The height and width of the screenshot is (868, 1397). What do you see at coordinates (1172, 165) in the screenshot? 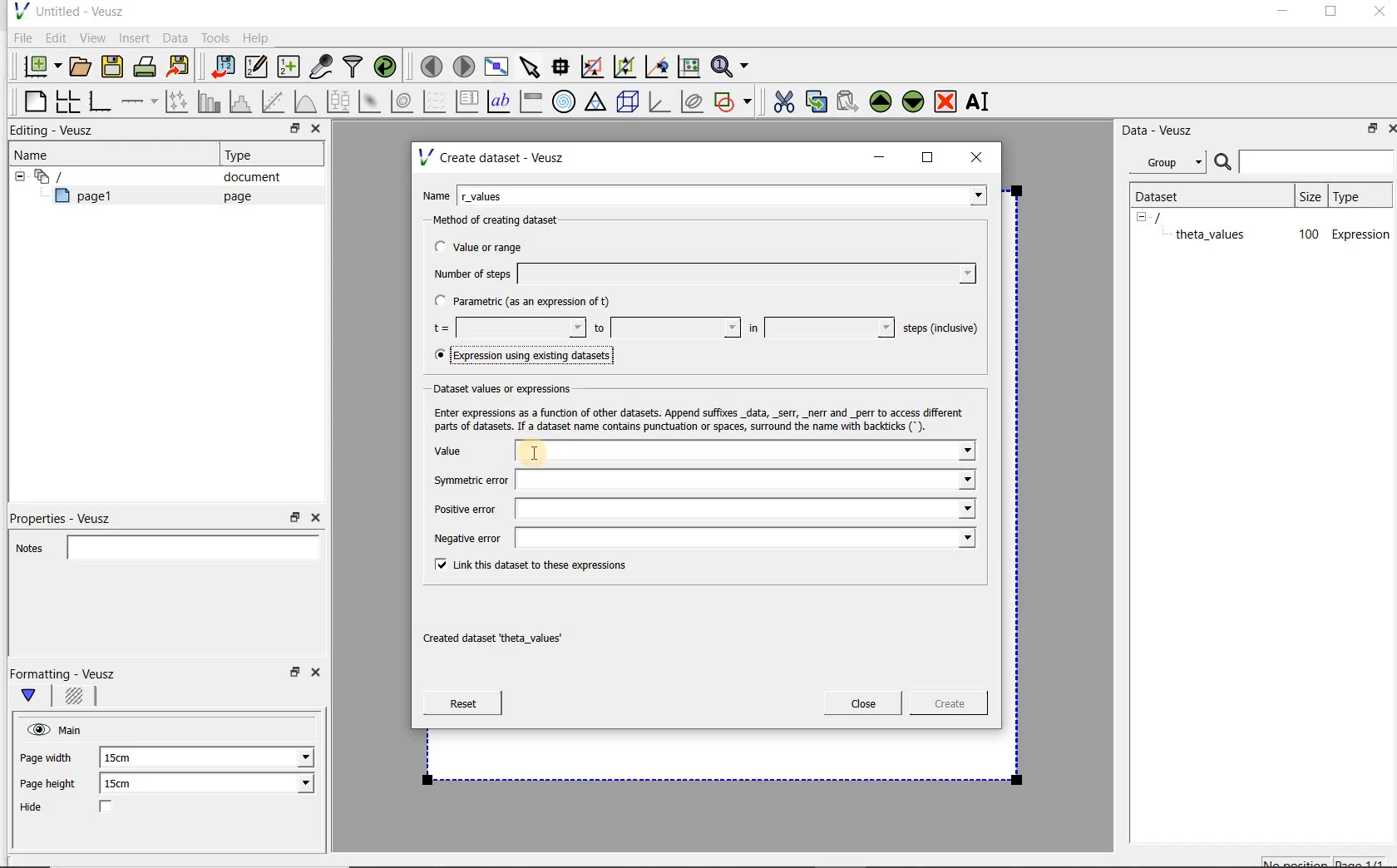
I see `Group` at bounding box center [1172, 165].